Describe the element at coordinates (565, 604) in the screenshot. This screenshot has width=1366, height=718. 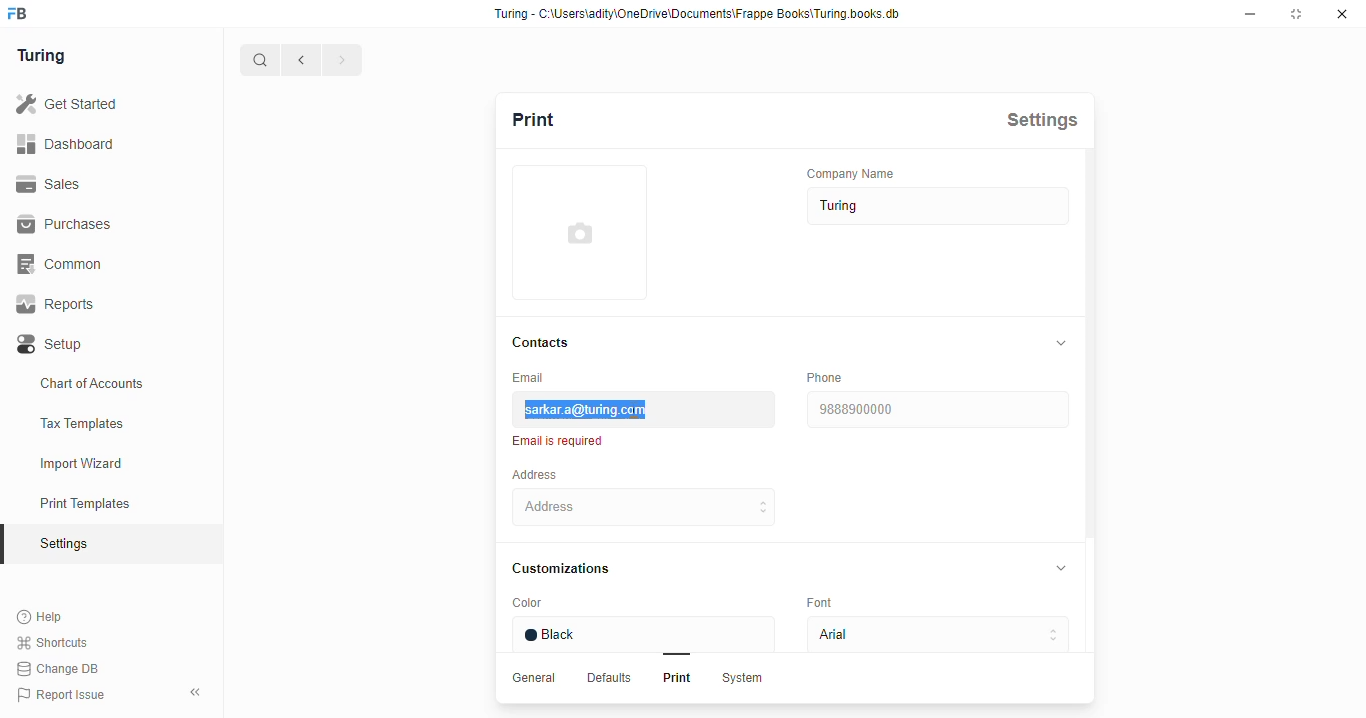
I see `Color` at that location.